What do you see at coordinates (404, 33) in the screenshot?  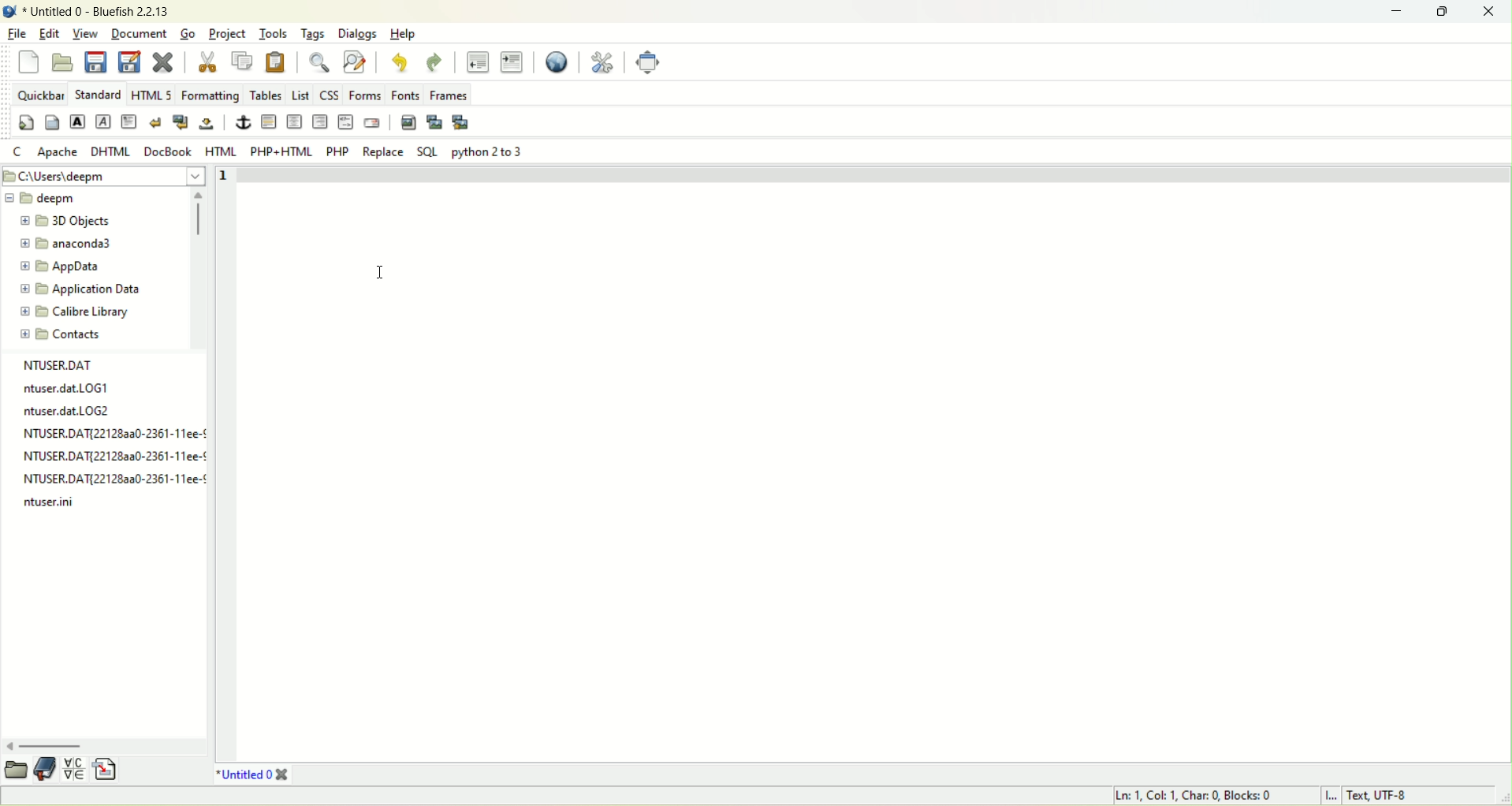 I see `help` at bounding box center [404, 33].